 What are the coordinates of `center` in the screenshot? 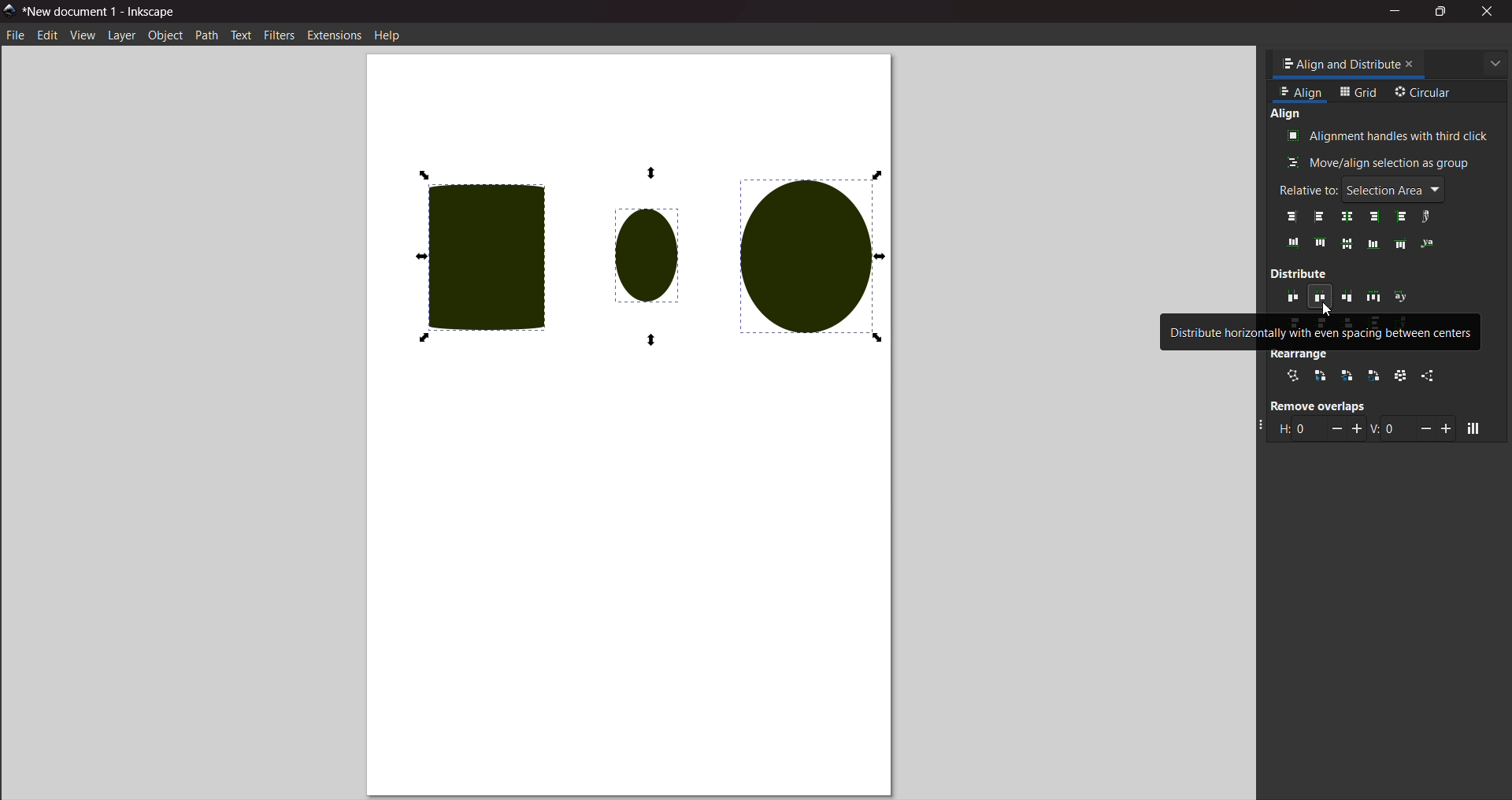 It's located at (1348, 218).